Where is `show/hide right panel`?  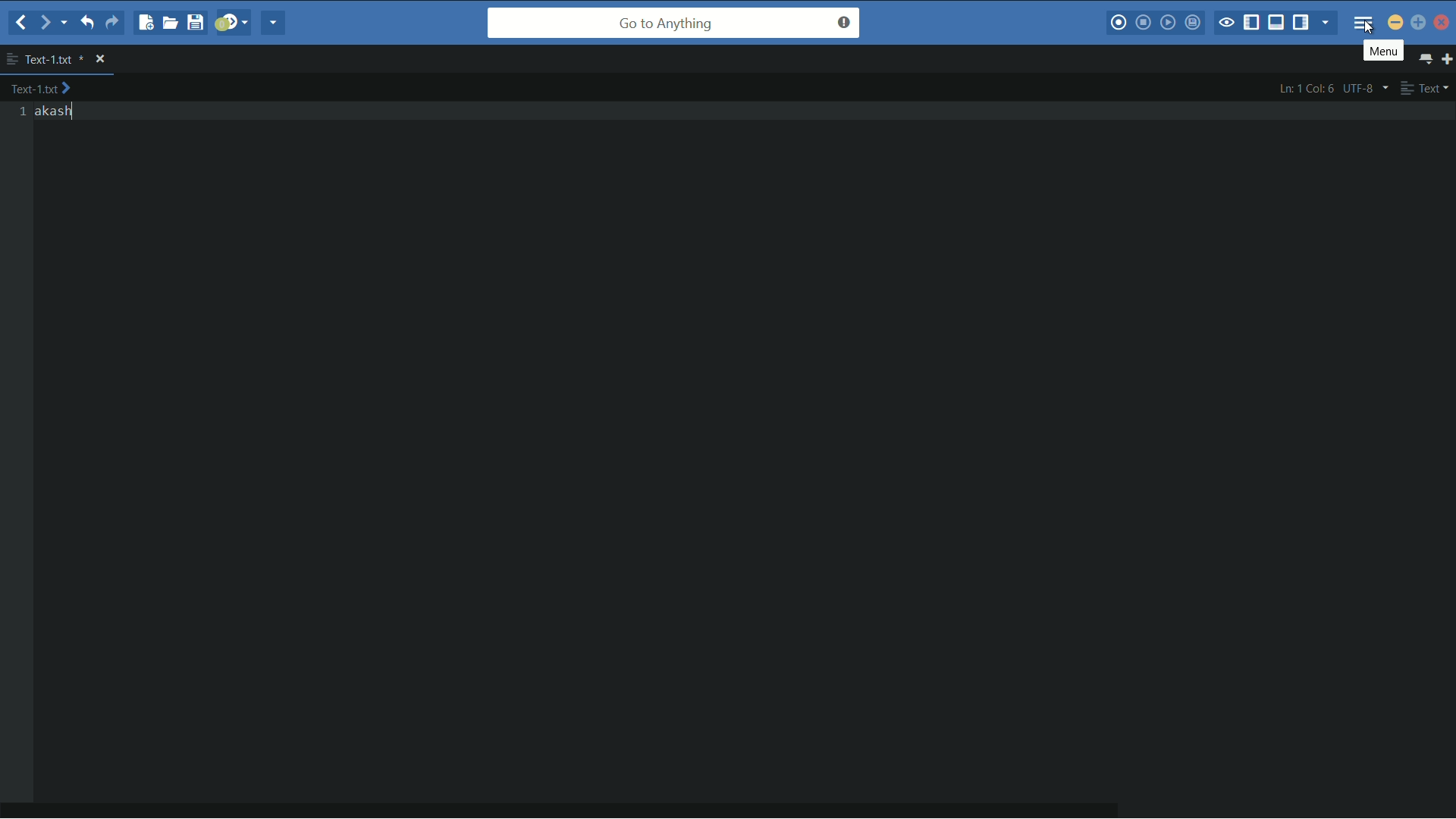
show/hide right panel is located at coordinates (1304, 23).